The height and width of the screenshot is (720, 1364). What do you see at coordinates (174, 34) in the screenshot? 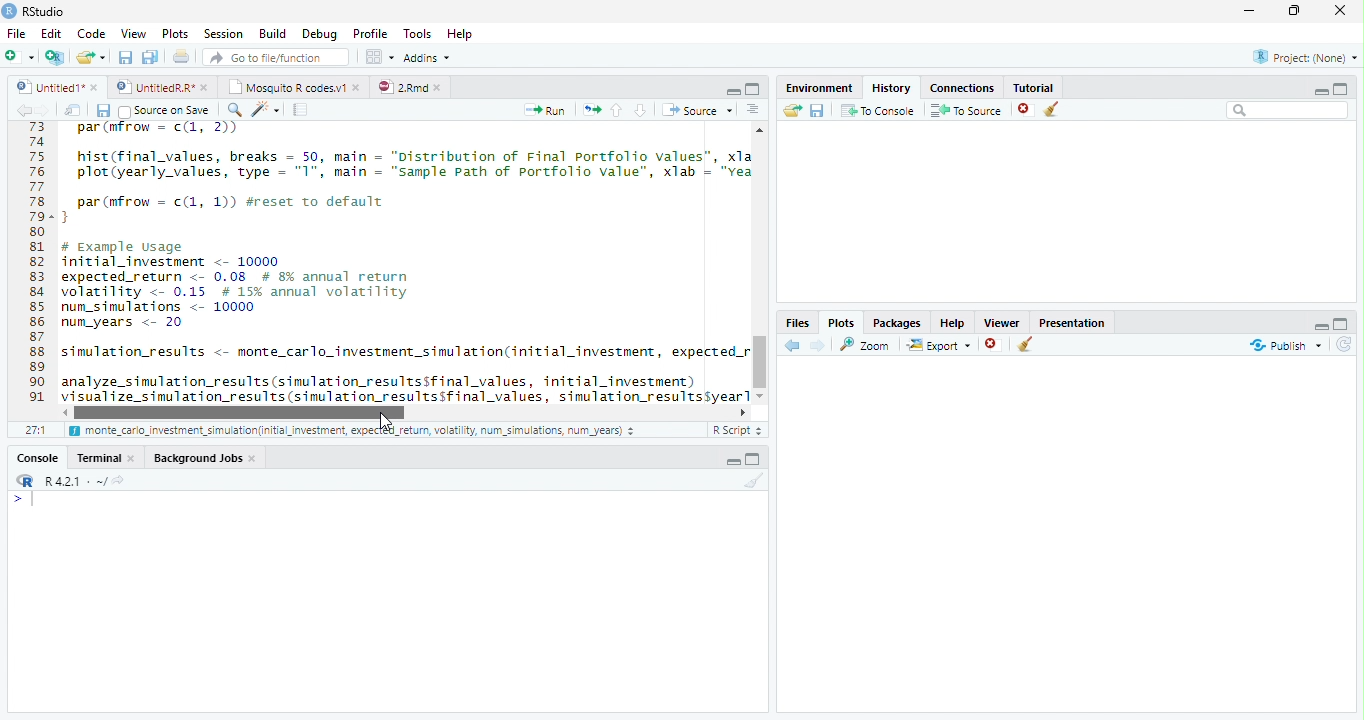
I see `Plots` at bounding box center [174, 34].